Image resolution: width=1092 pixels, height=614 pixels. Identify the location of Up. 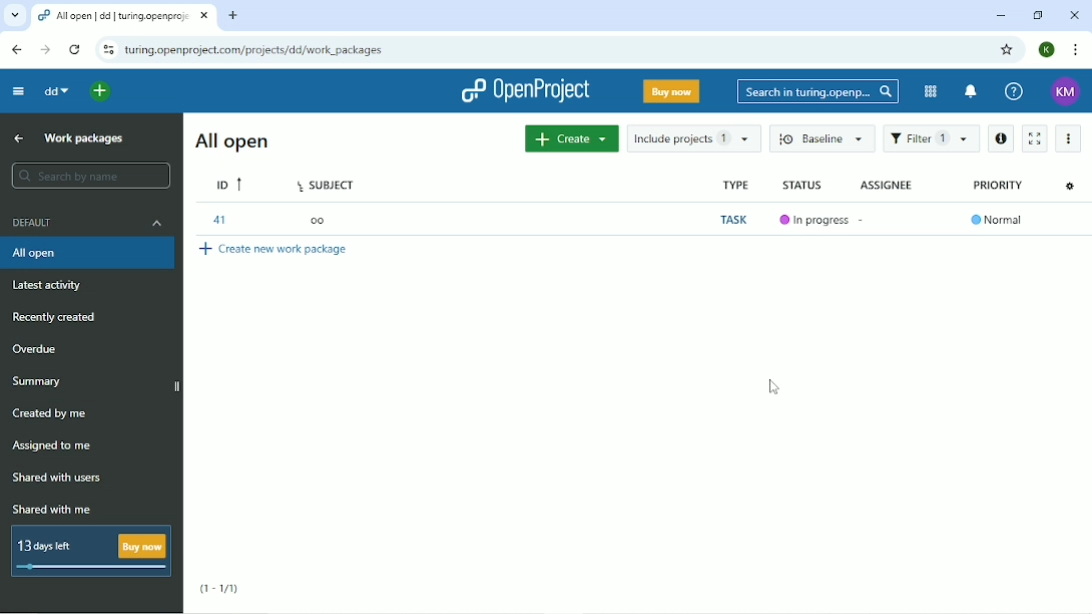
(19, 138).